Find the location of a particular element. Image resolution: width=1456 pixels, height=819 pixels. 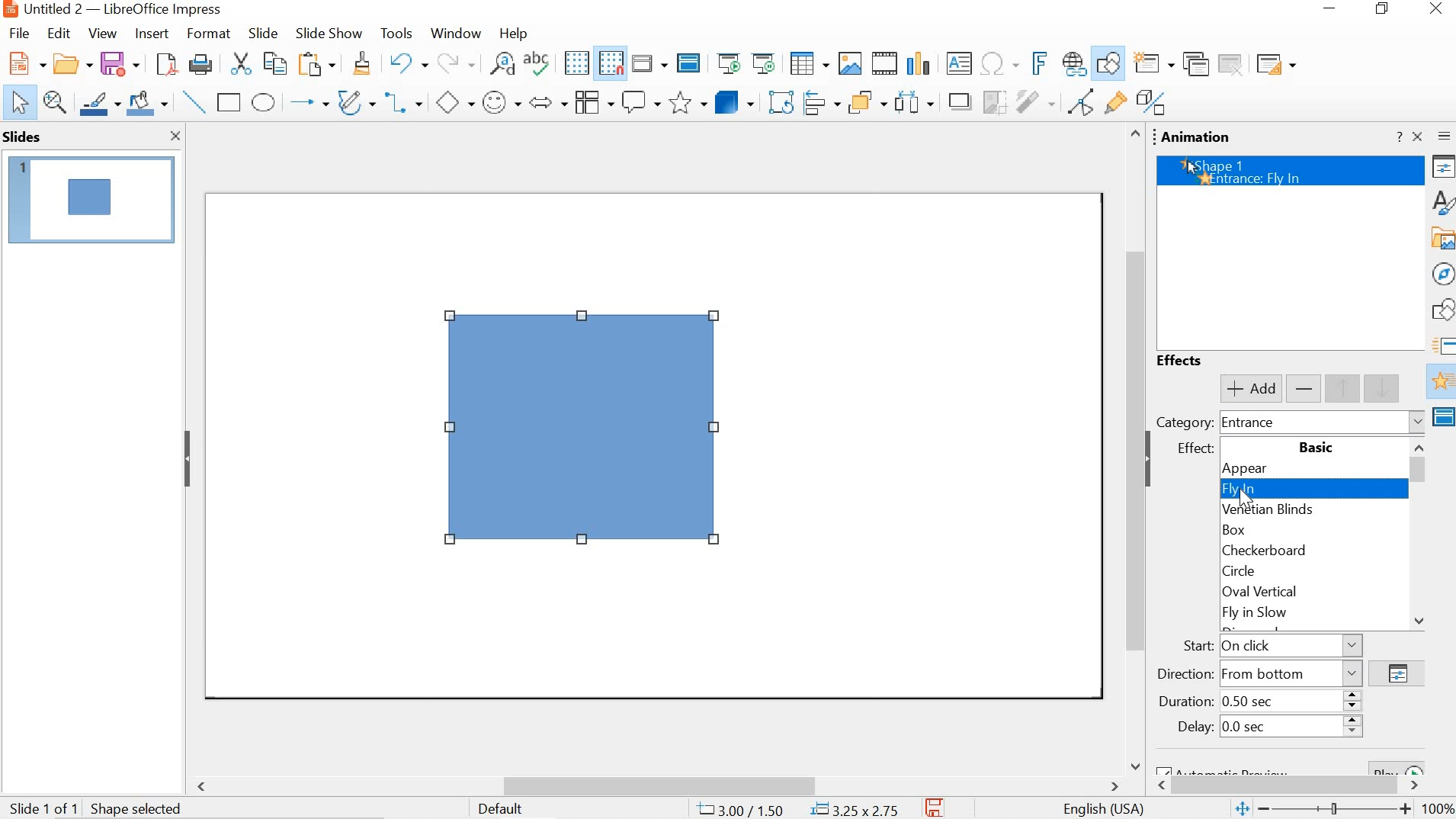

Move up is located at coordinates (1134, 134).